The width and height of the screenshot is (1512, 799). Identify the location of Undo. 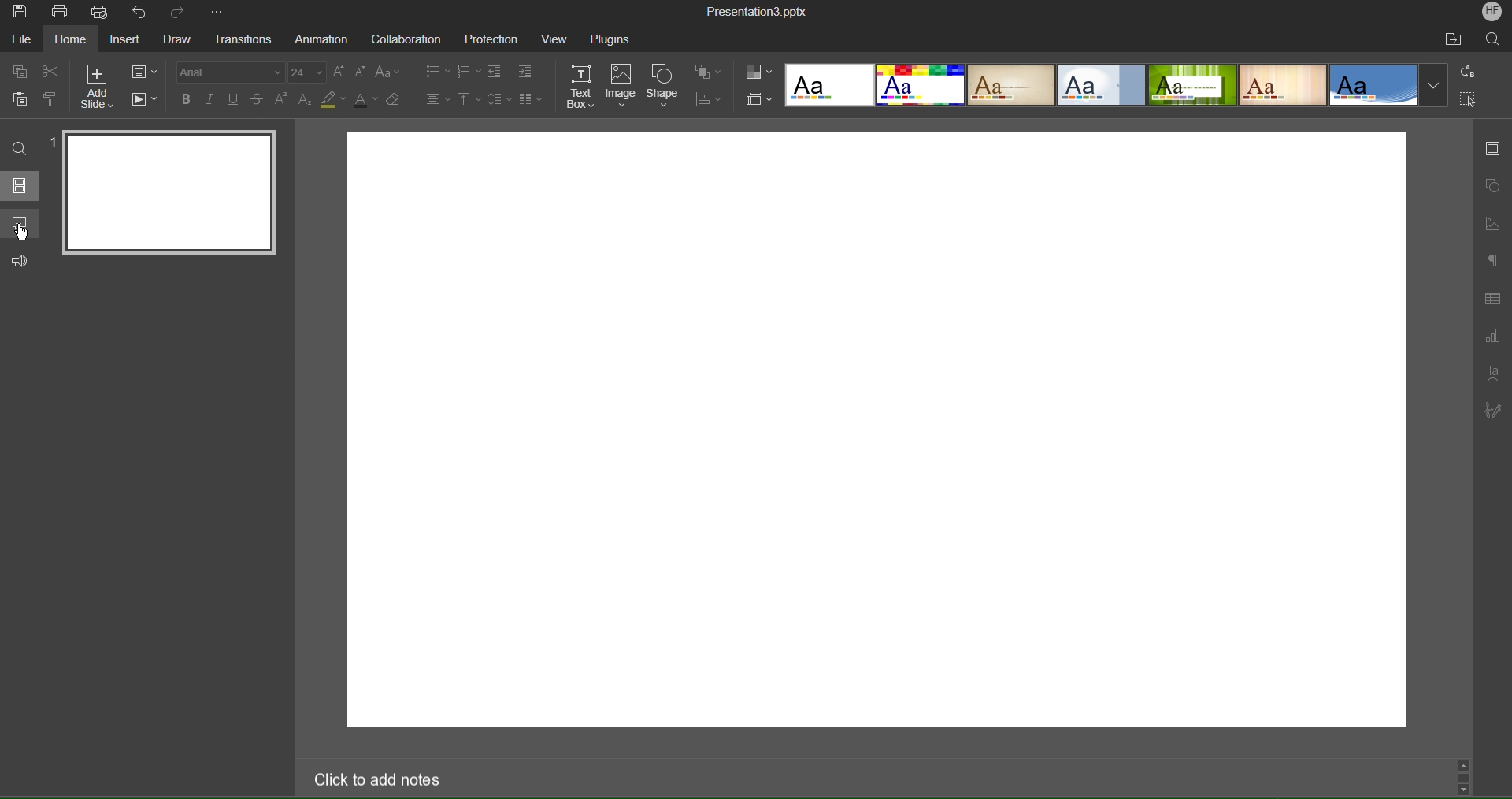
(140, 12).